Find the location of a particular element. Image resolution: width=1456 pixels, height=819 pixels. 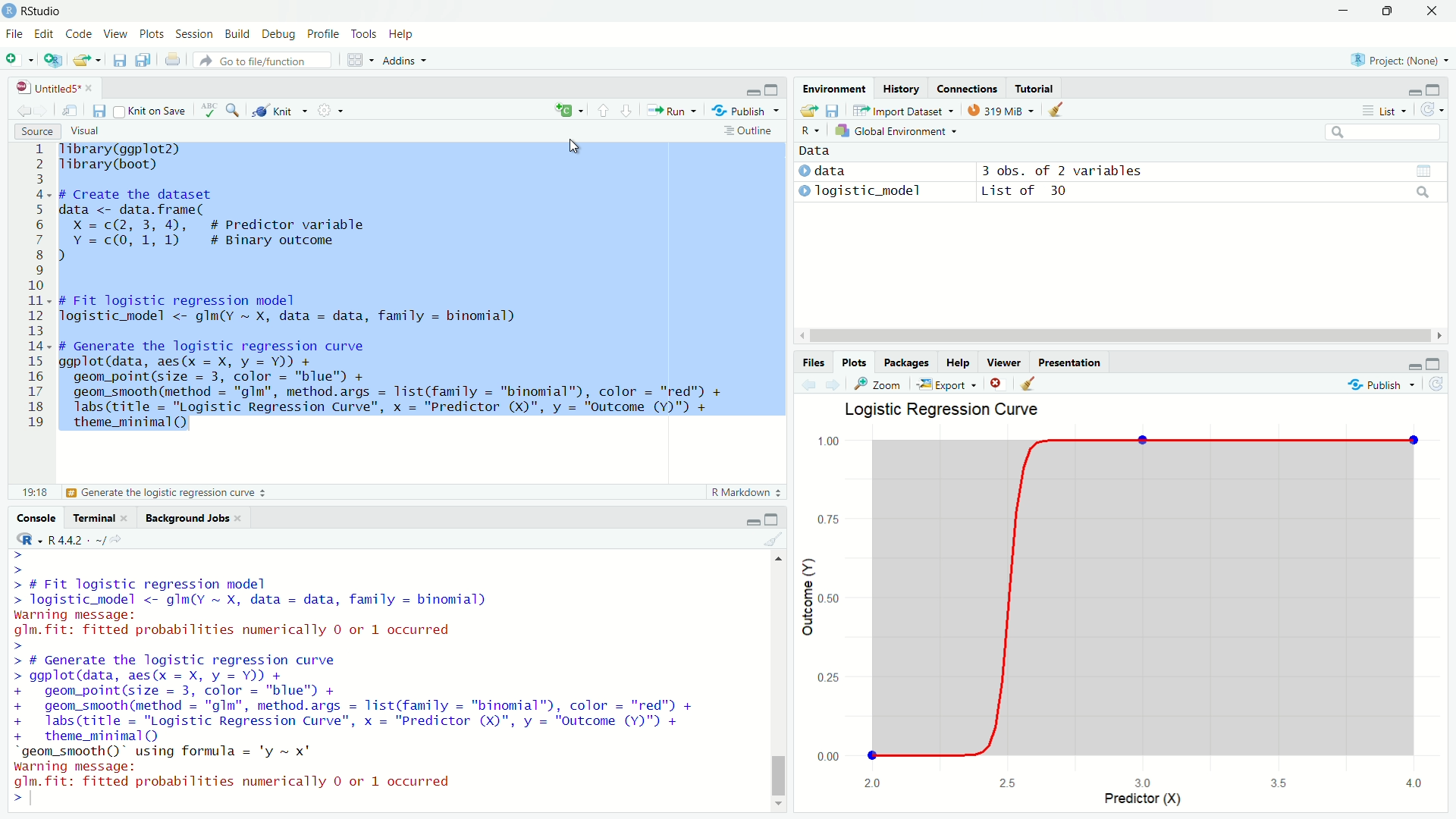

Knit is located at coordinates (280, 110).